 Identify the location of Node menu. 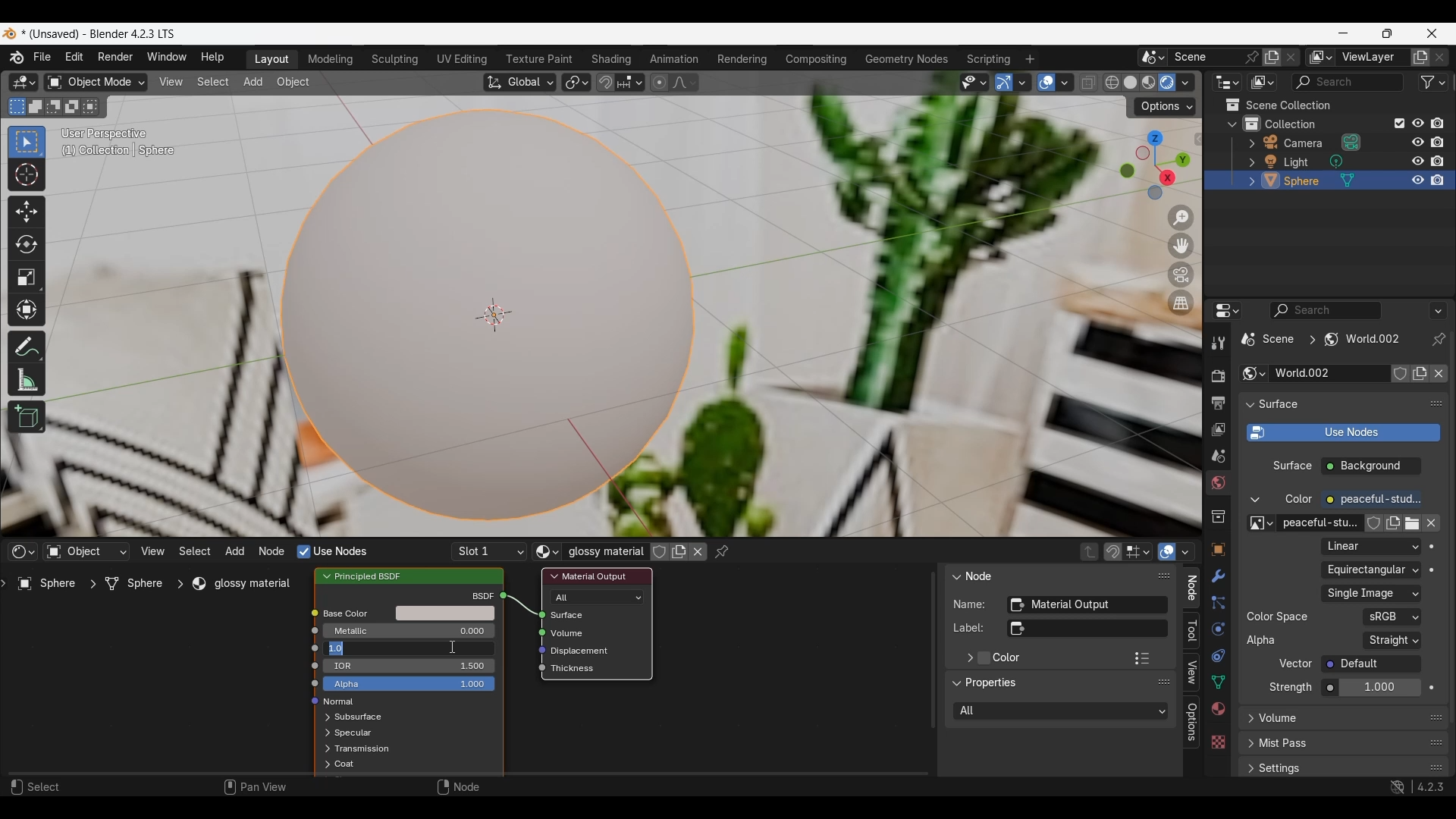
(272, 551).